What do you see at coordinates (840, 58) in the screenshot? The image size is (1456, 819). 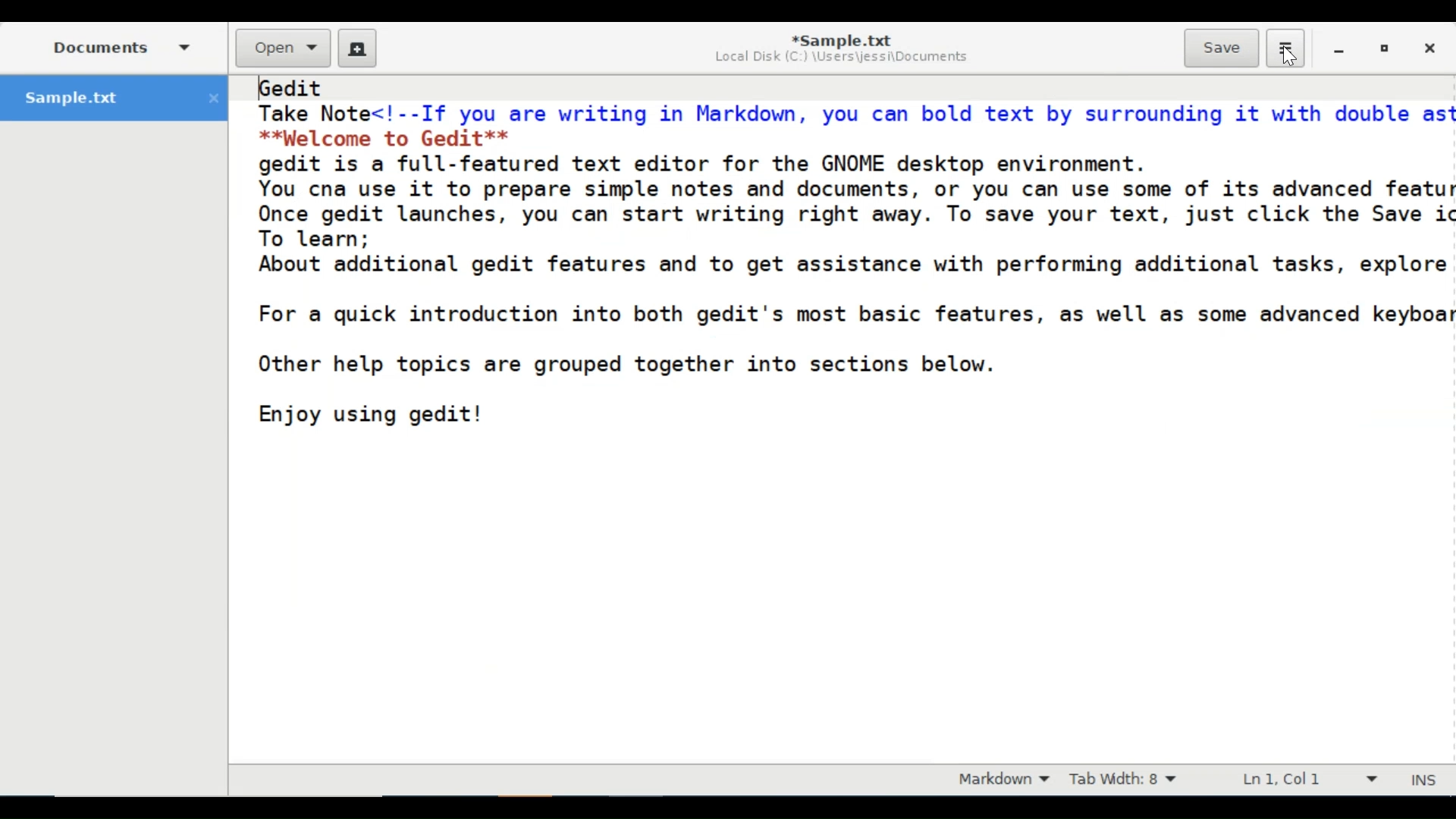 I see `Local Disk (C:) \Users\jessi\Documents` at bounding box center [840, 58].